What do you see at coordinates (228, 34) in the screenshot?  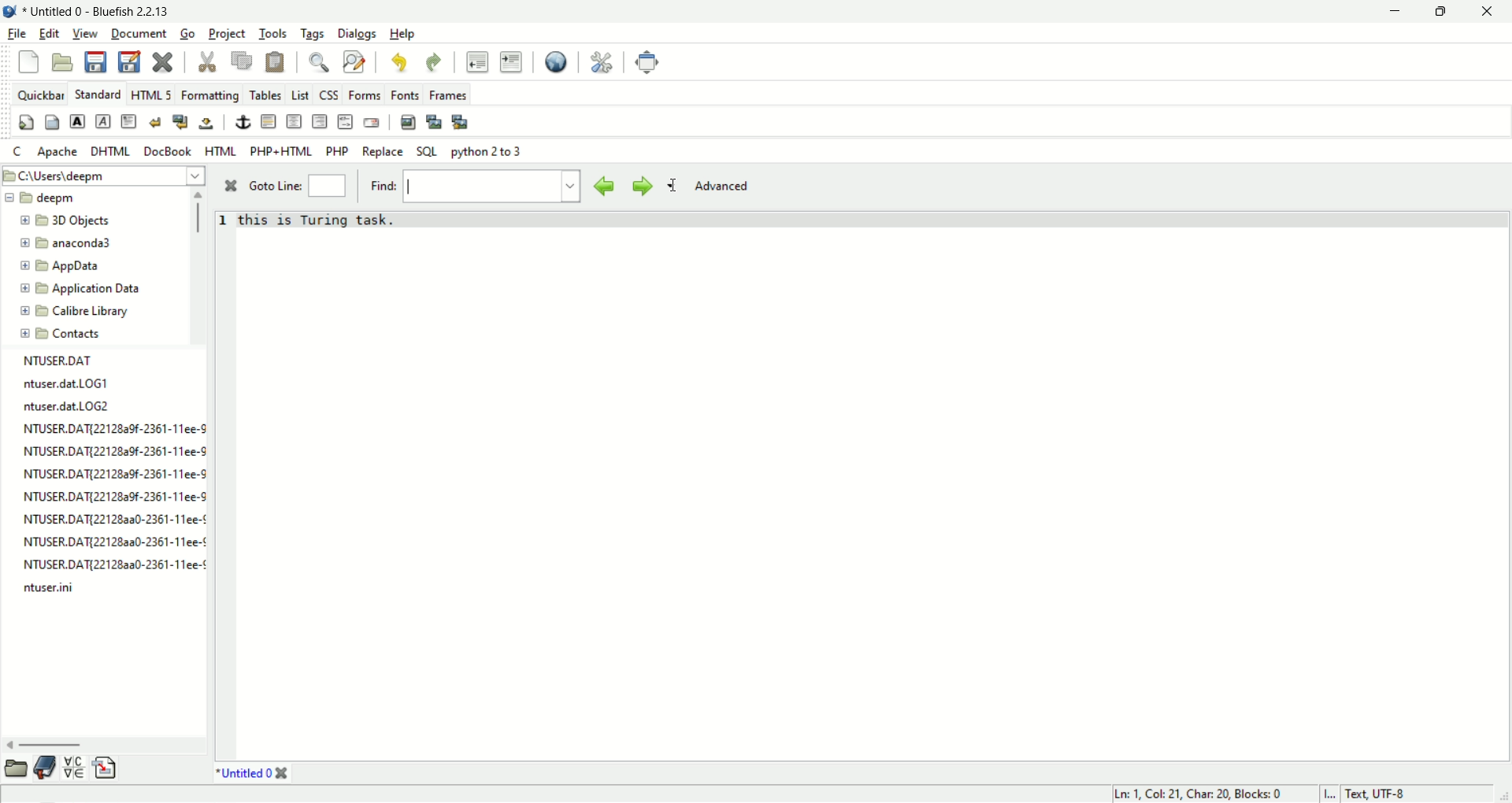 I see `project` at bounding box center [228, 34].